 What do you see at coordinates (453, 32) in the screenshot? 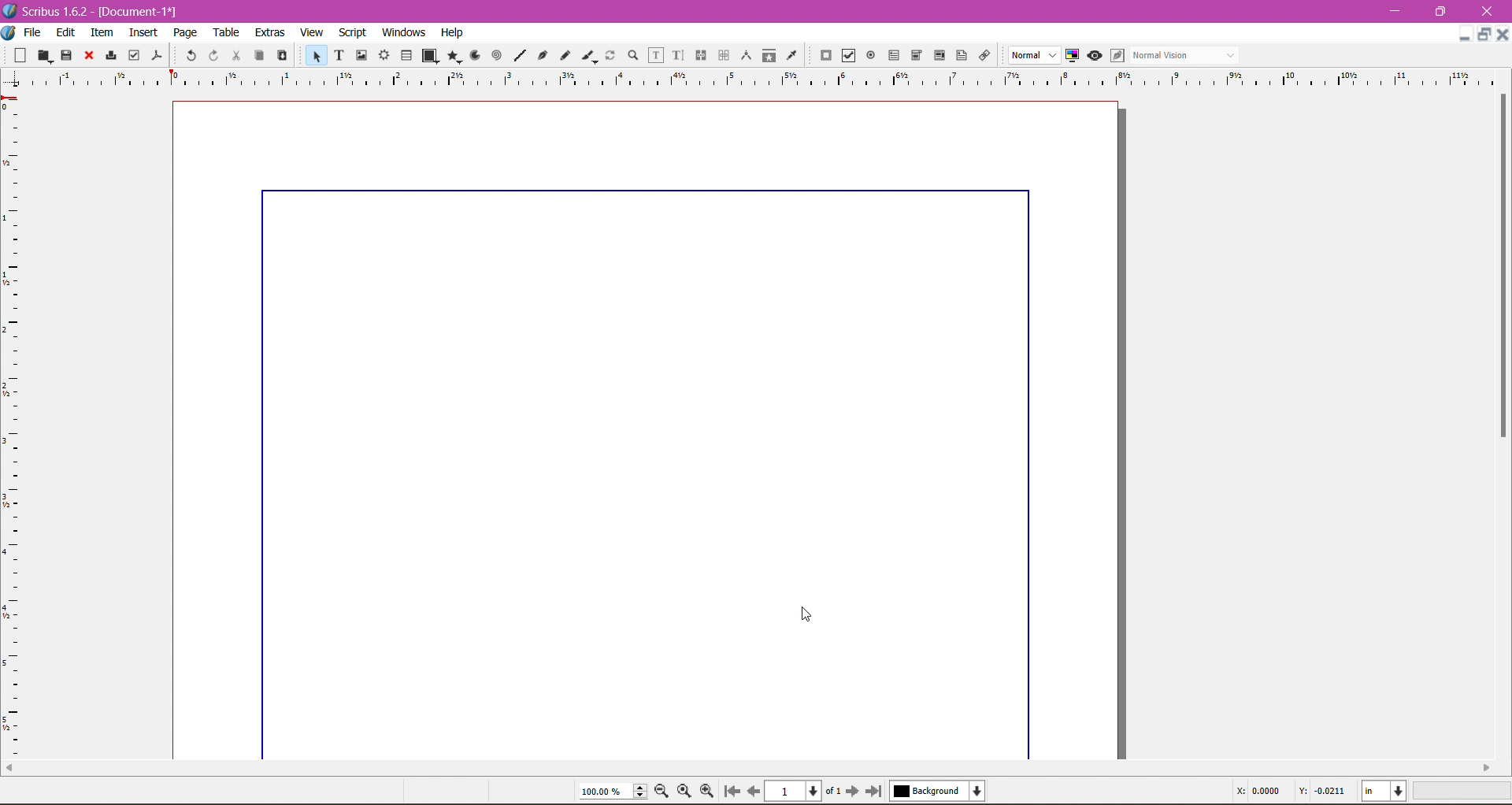
I see `Help` at bounding box center [453, 32].